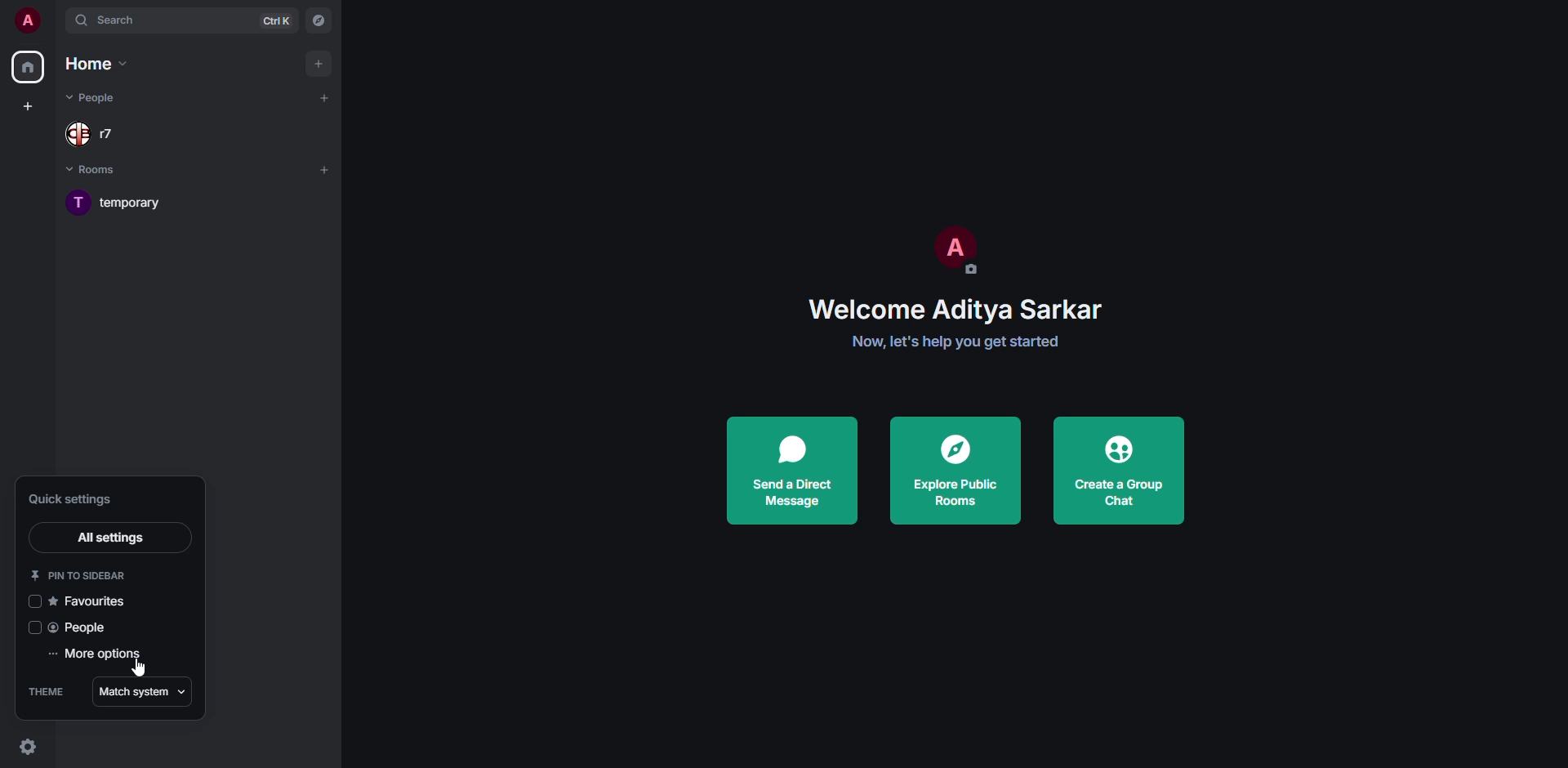  What do you see at coordinates (122, 538) in the screenshot?
I see `all settings` at bounding box center [122, 538].